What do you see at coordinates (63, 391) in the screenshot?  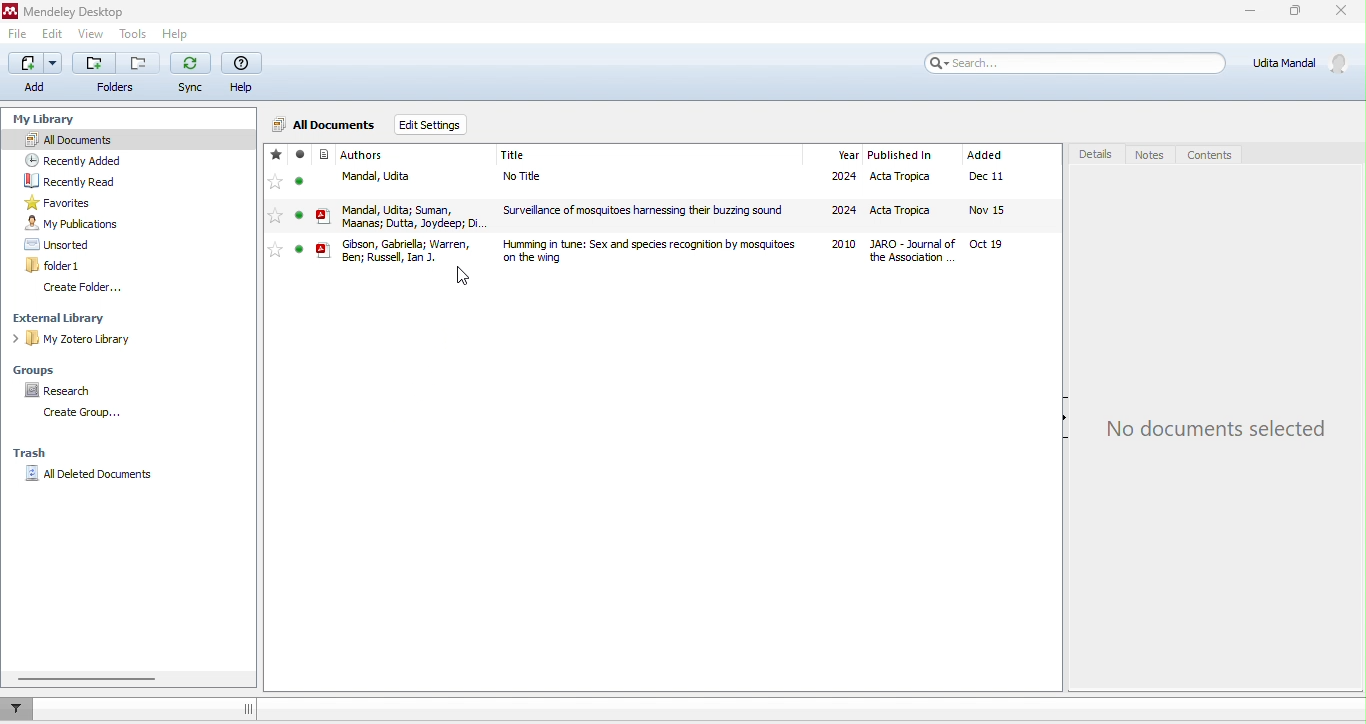 I see `research` at bounding box center [63, 391].